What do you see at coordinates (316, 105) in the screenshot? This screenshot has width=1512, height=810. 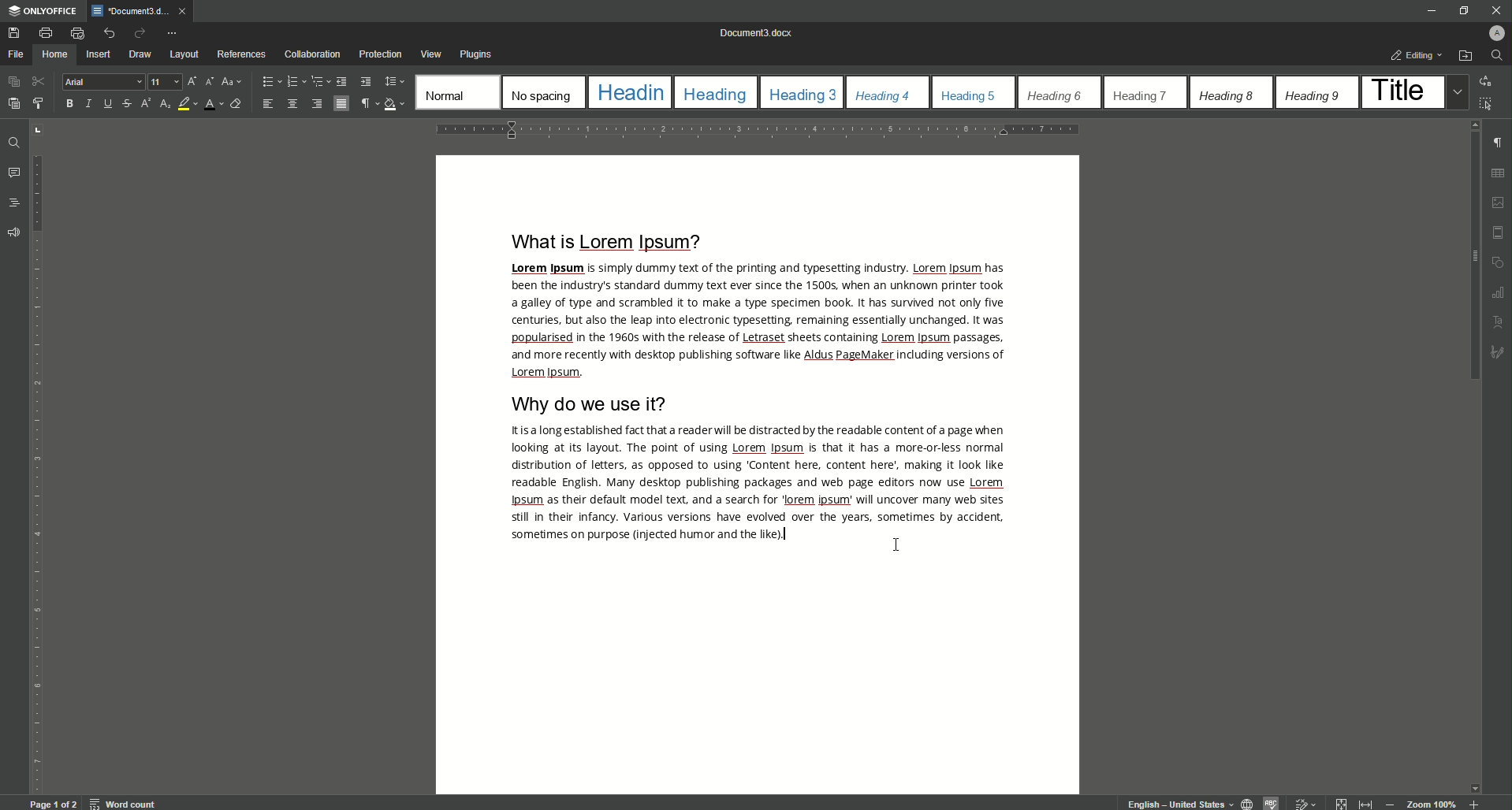 I see `Align Right` at bounding box center [316, 105].